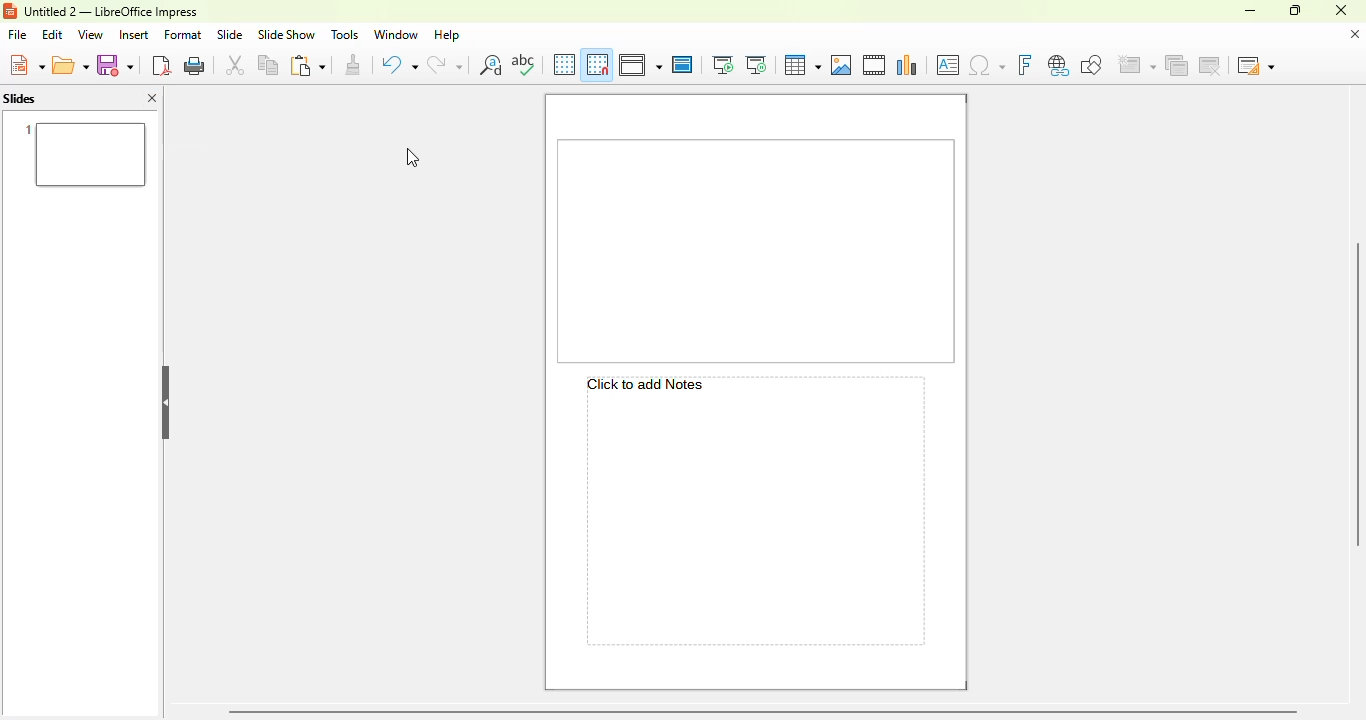  I want to click on redo, so click(445, 64).